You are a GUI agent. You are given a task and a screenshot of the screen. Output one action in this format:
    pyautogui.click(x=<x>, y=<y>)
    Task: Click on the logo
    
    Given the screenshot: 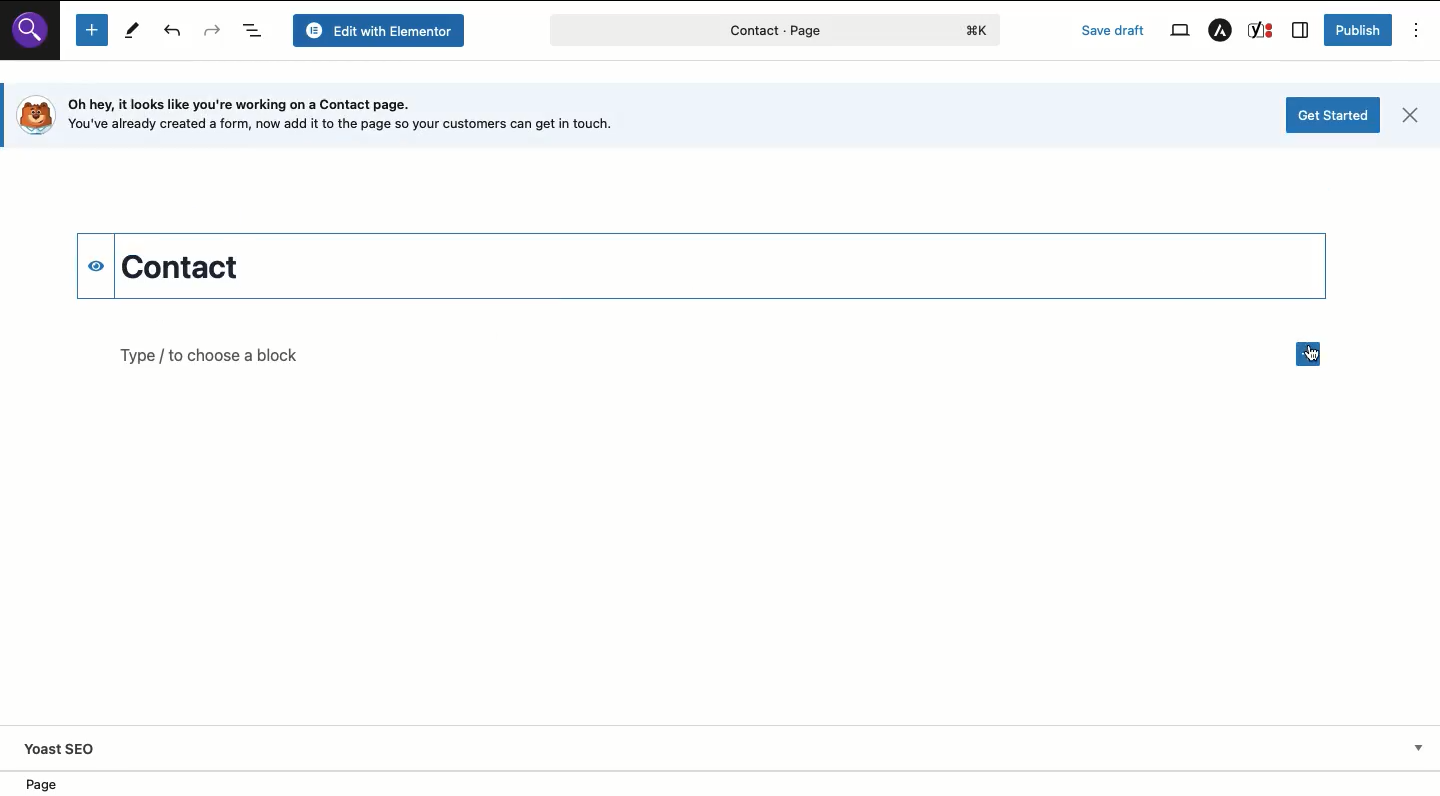 What is the action you would take?
    pyautogui.click(x=33, y=115)
    